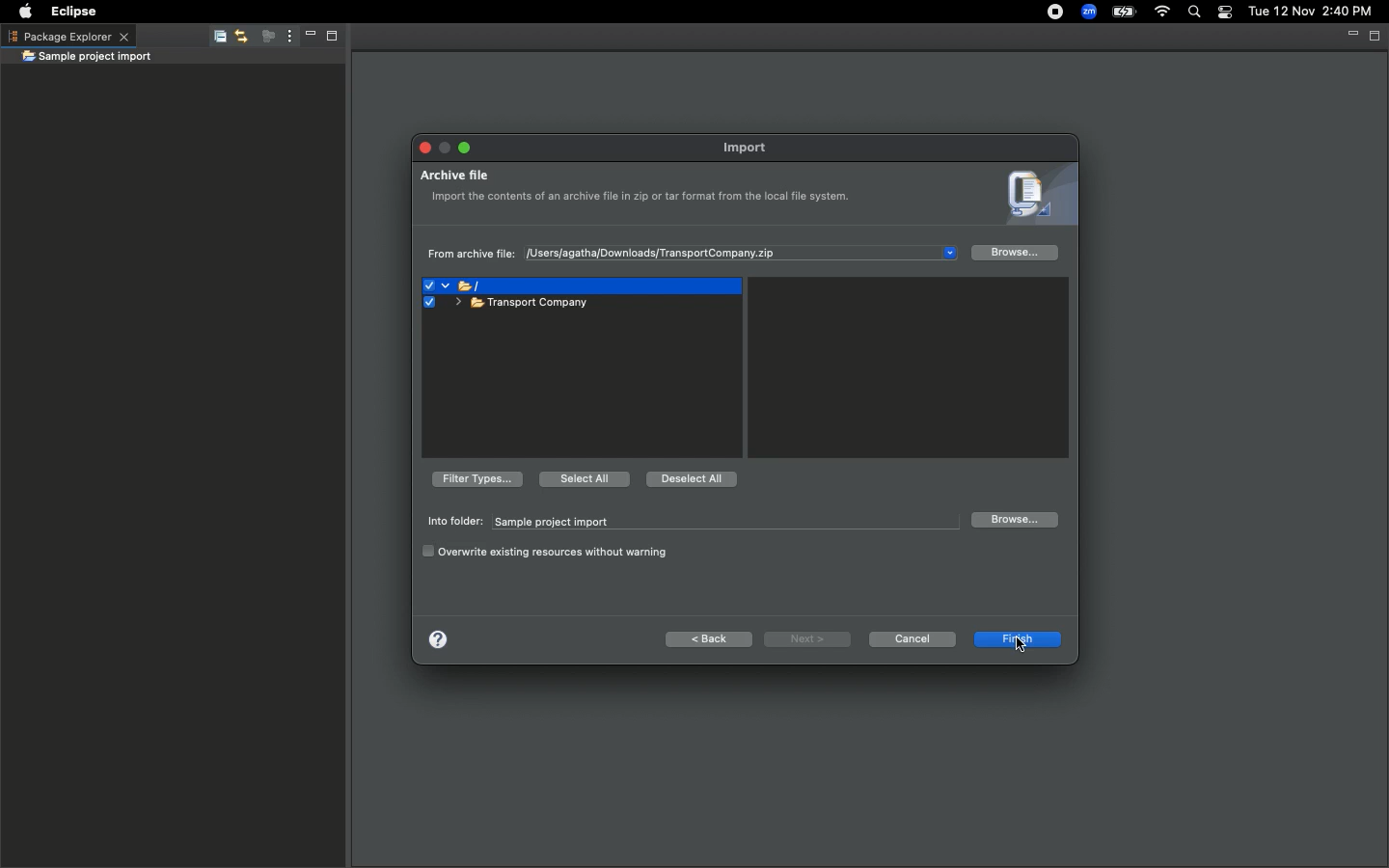 Image resolution: width=1389 pixels, height=868 pixels. I want to click on Minimize, so click(1350, 35).